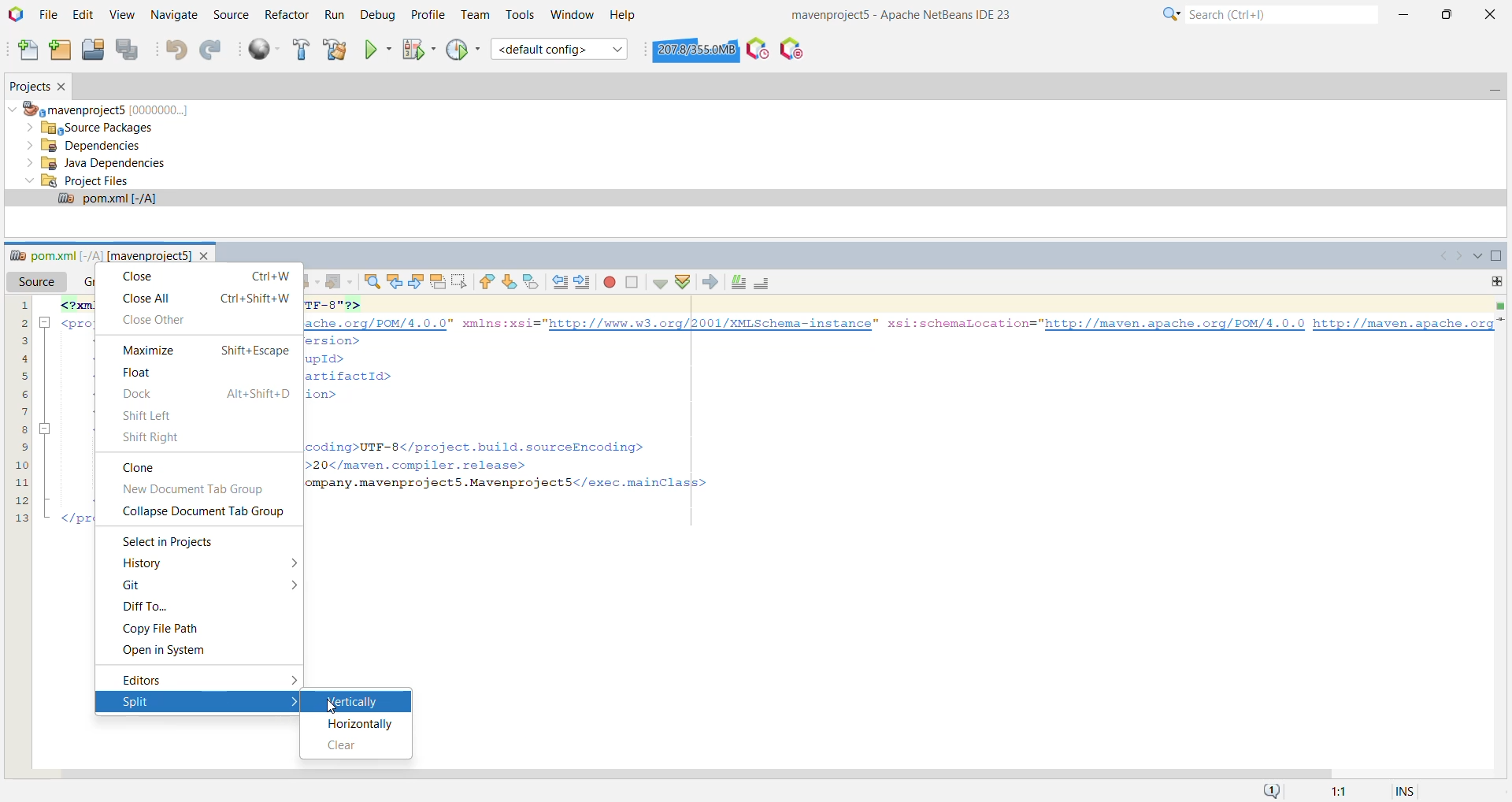 The image size is (1512, 802). I want to click on Help, so click(624, 16).